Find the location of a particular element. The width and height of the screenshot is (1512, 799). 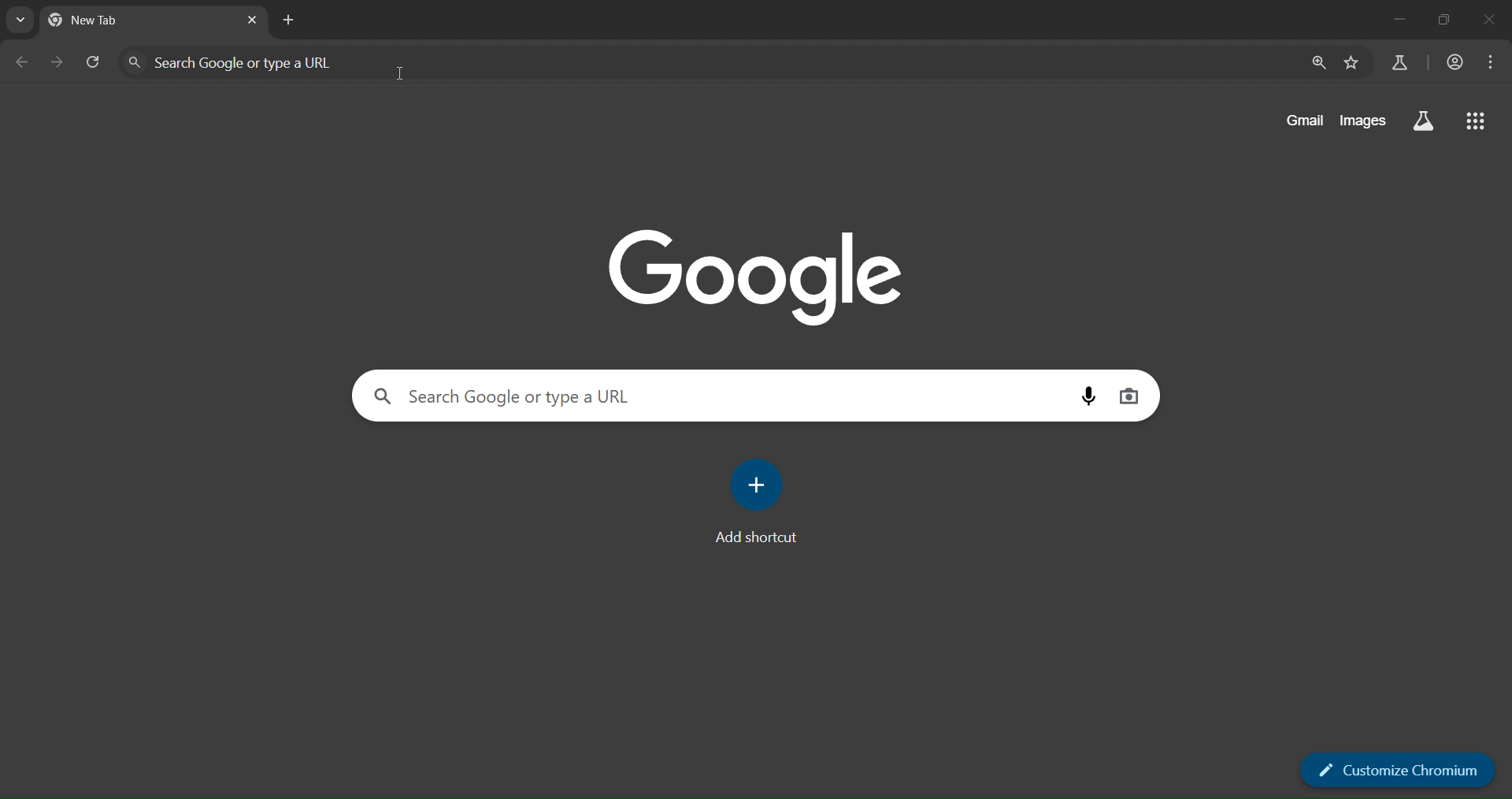

zoom is located at coordinates (1319, 63).